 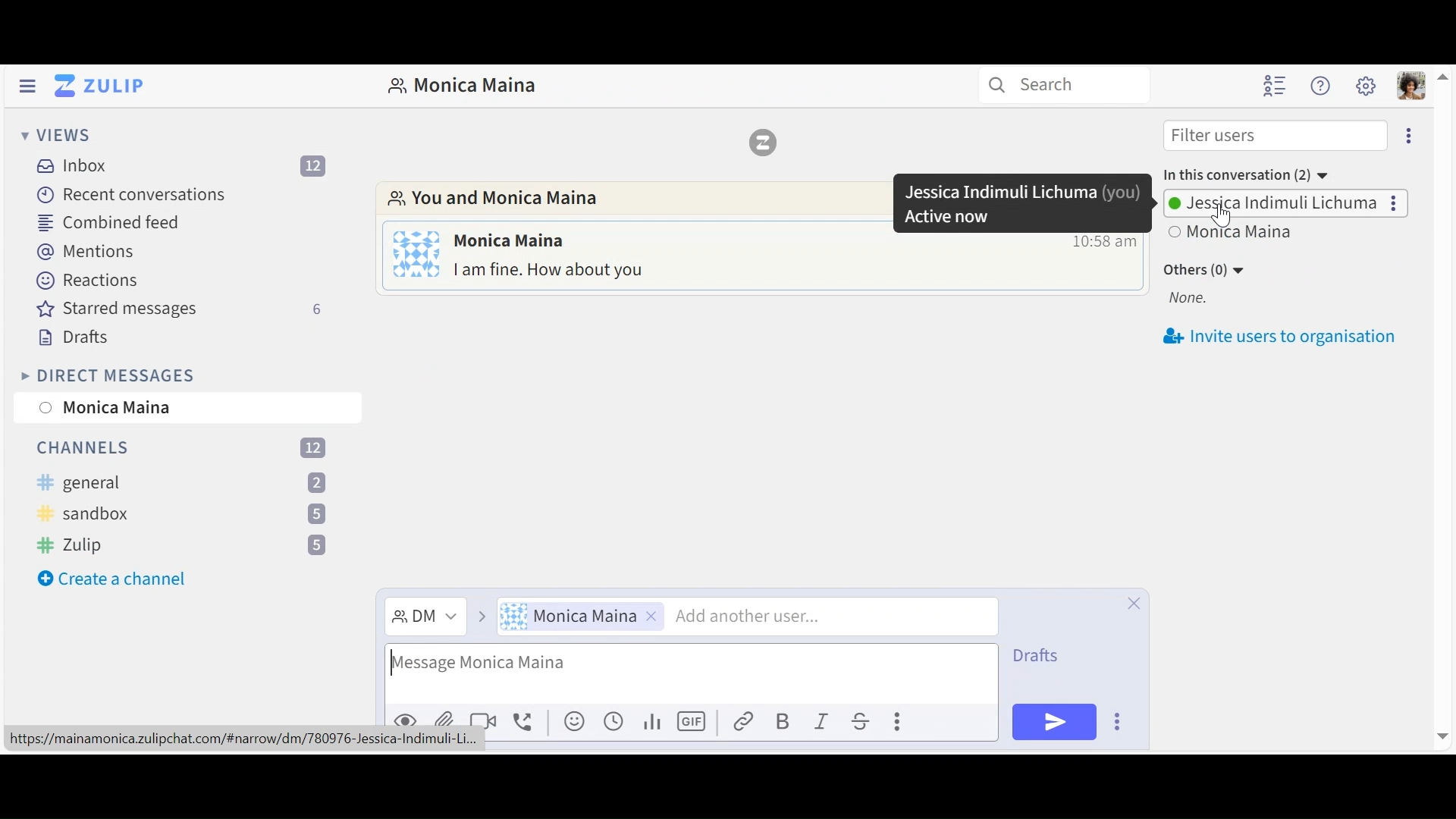 What do you see at coordinates (1232, 231) in the screenshot?
I see `View all users` at bounding box center [1232, 231].